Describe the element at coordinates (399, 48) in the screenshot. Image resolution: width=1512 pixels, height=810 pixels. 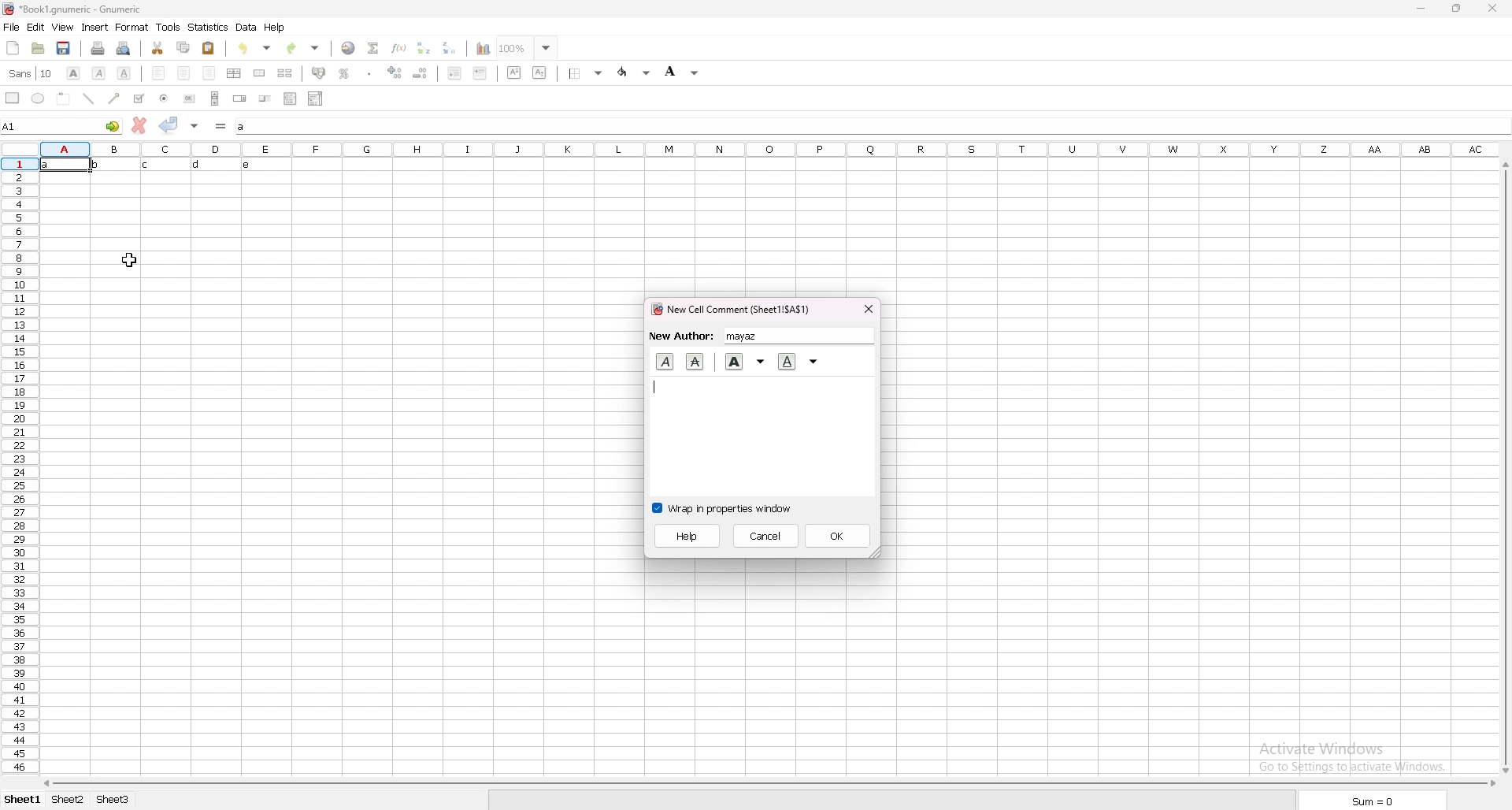
I see `function` at that location.